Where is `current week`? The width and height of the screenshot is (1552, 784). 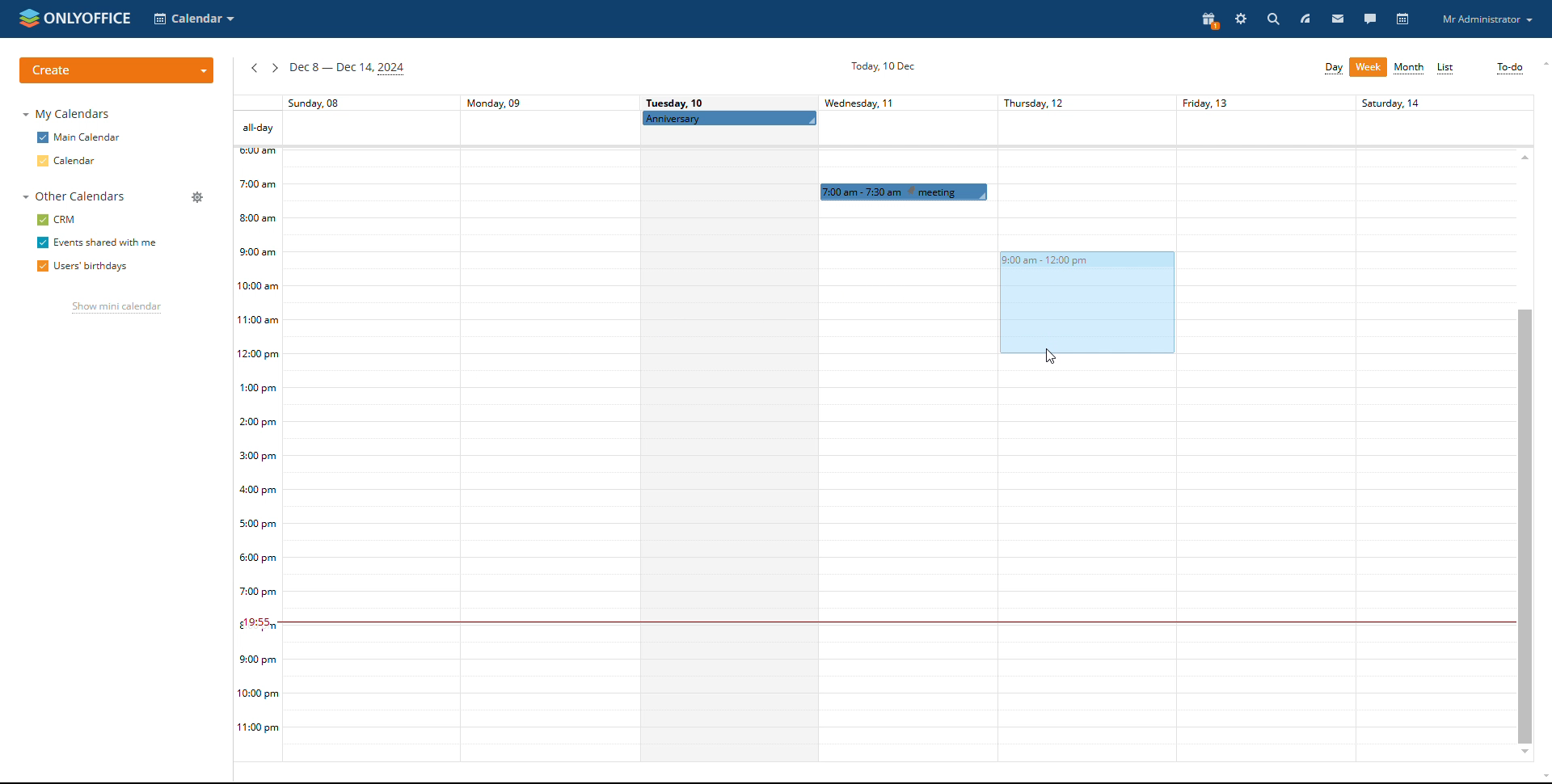
current week is located at coordinates (348, 70).